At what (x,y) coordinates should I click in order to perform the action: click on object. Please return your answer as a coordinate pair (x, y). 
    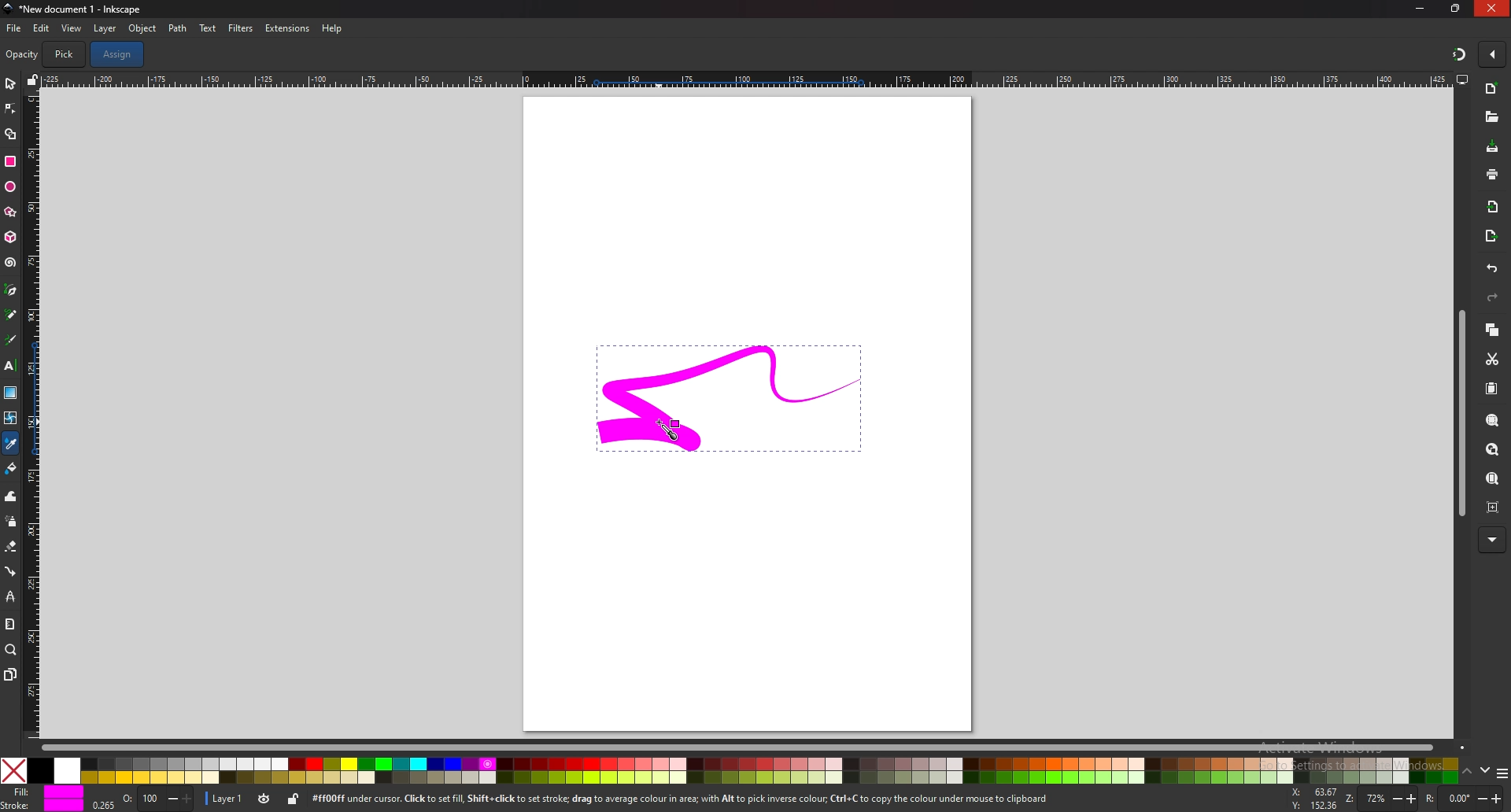
    Looking at the image, I should click on (146, 28).